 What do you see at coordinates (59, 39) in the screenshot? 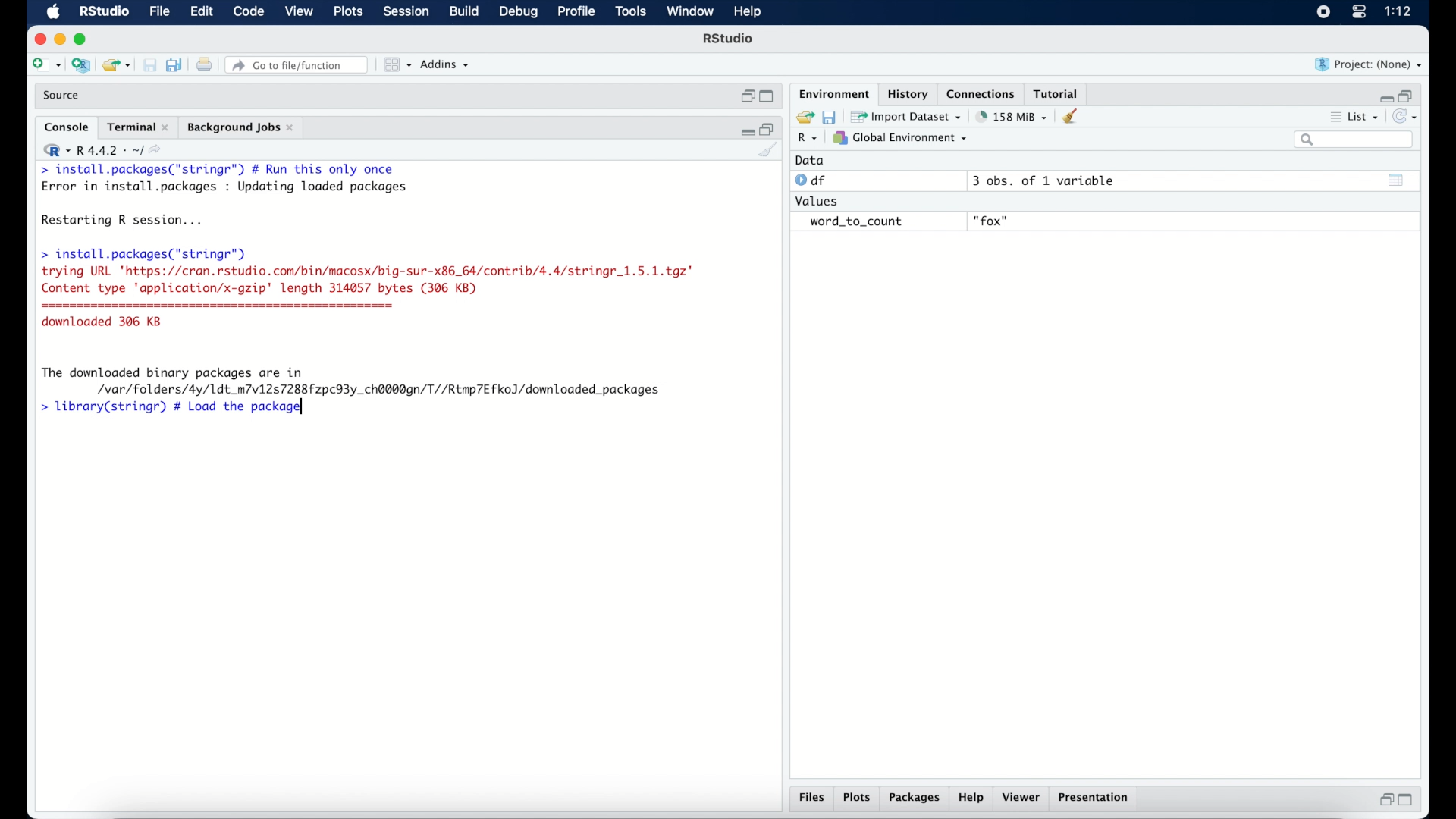
I see `minimize` at bounding box center [59, 39].